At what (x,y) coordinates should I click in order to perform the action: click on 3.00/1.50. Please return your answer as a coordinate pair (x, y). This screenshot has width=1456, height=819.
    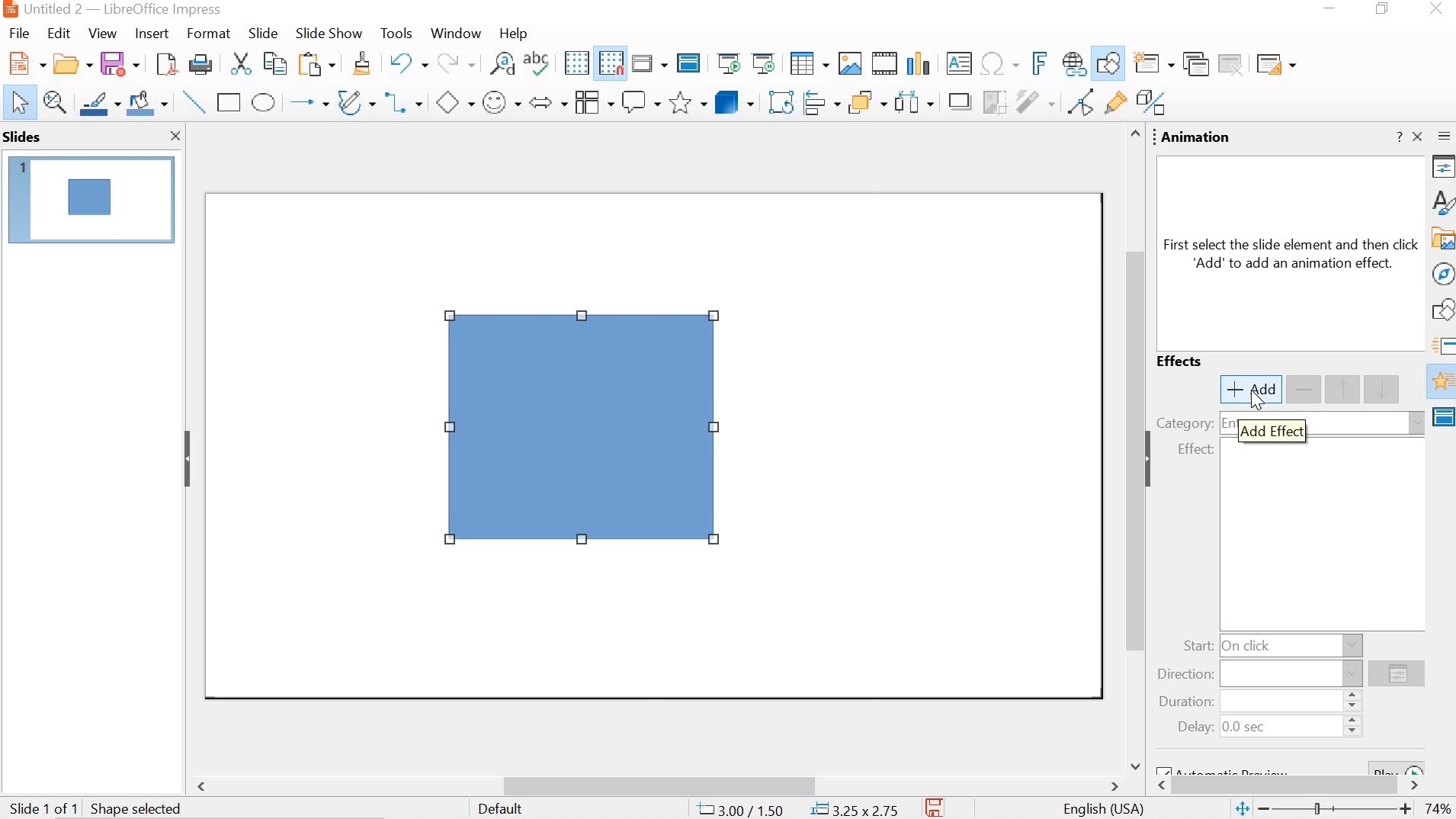
    Looking at the image, I should click on (742, 808).